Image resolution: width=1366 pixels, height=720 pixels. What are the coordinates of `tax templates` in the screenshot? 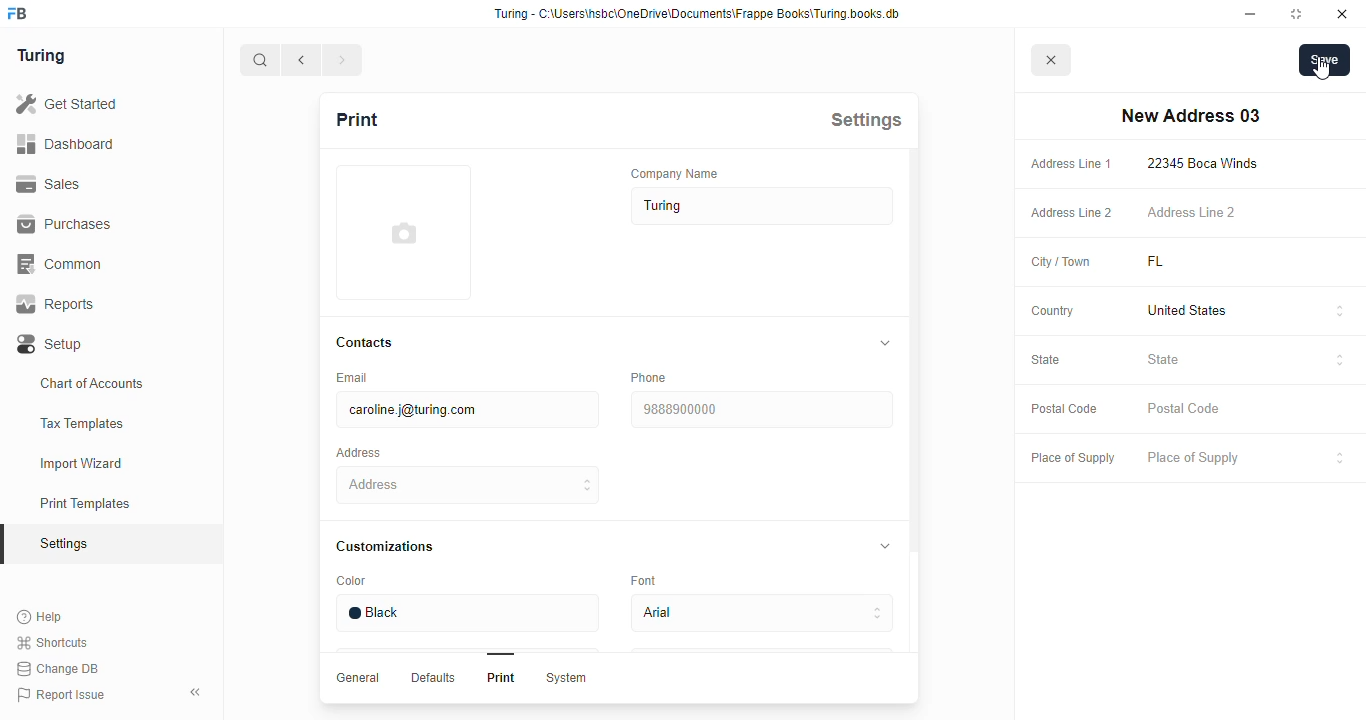 It's located at (81, 423).